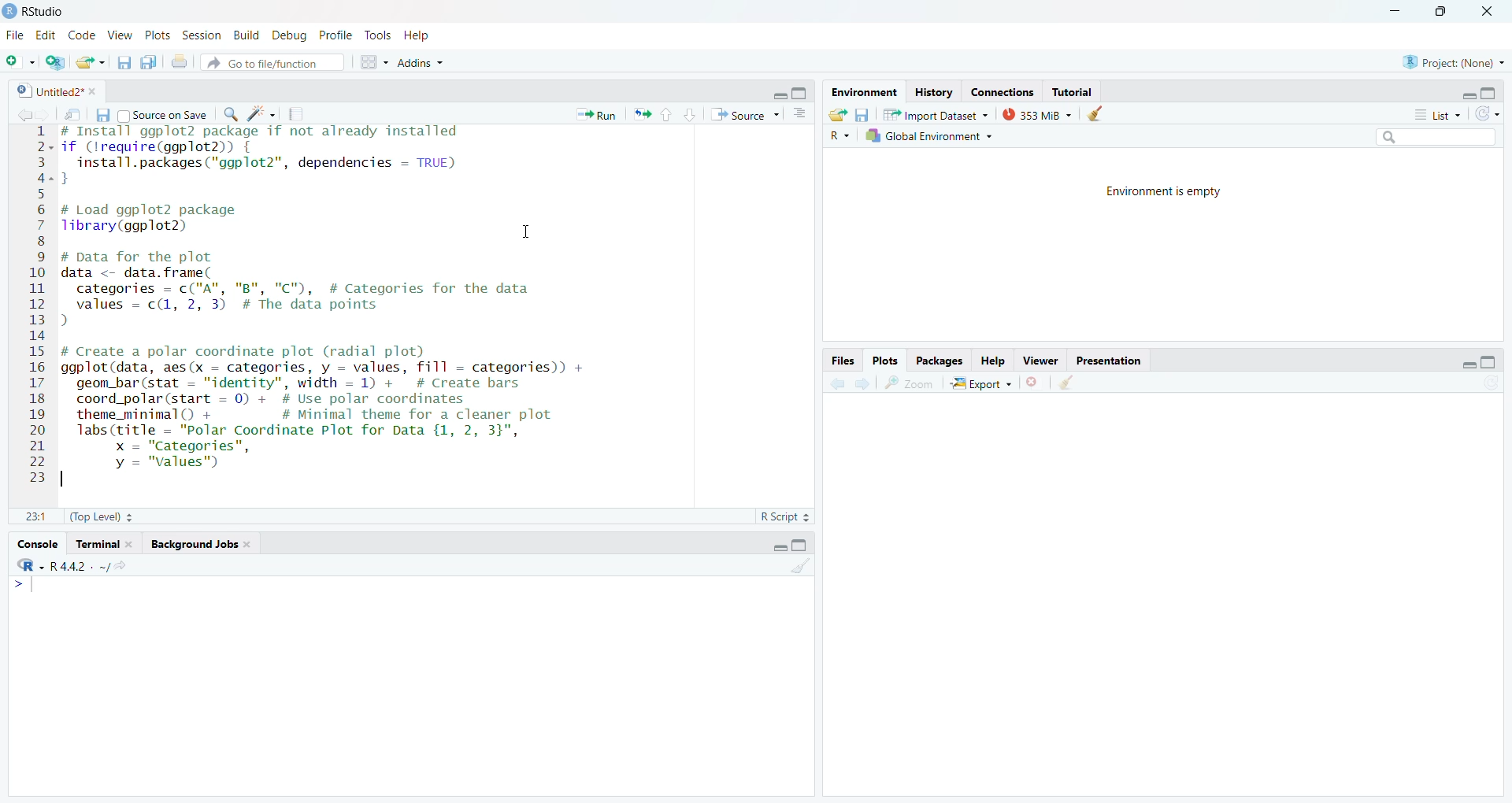  I want to click on ‘Background Jobs, so click(200, 546).